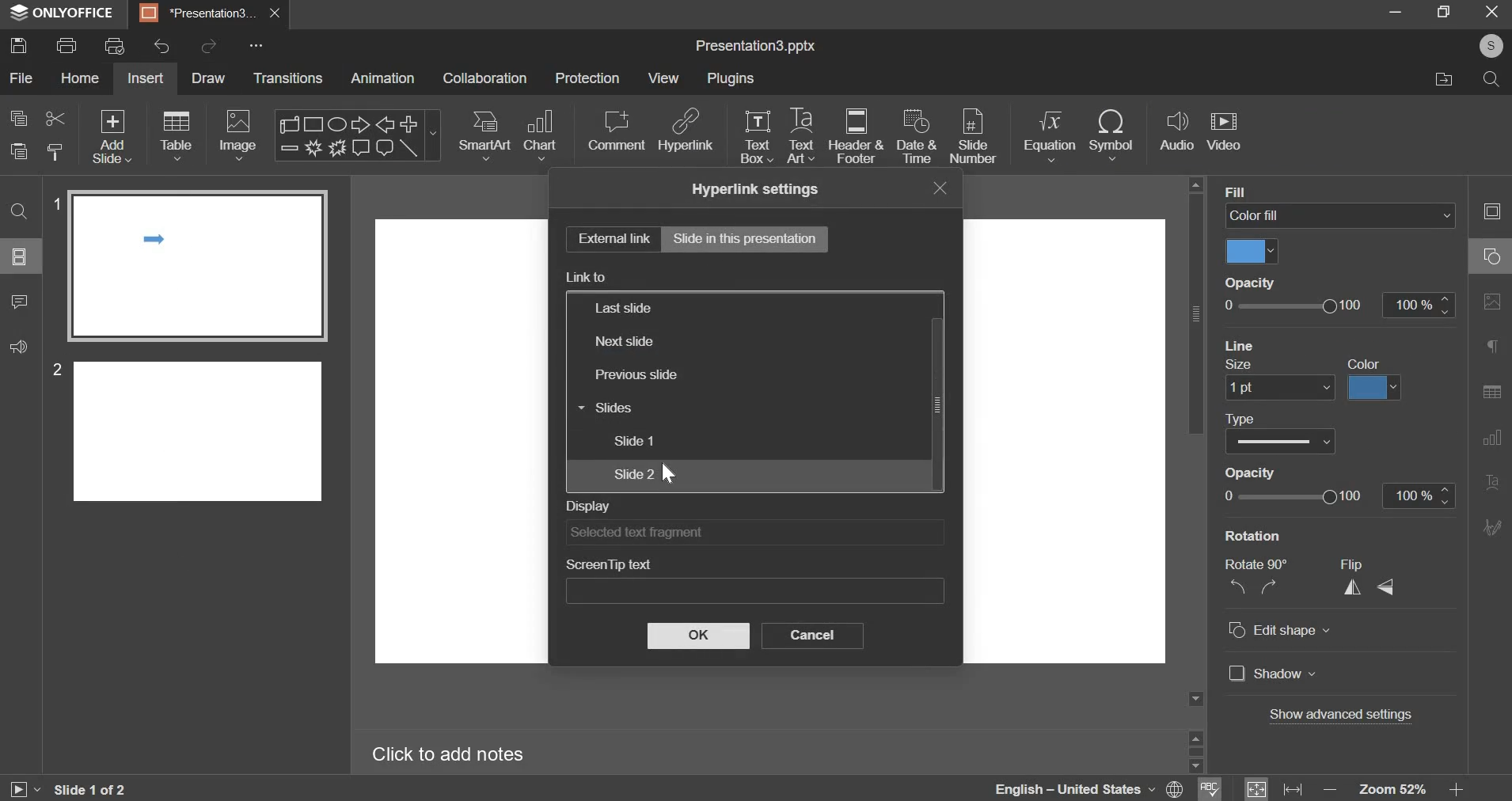  I want to click on scrollbar, so click(1195, 751).